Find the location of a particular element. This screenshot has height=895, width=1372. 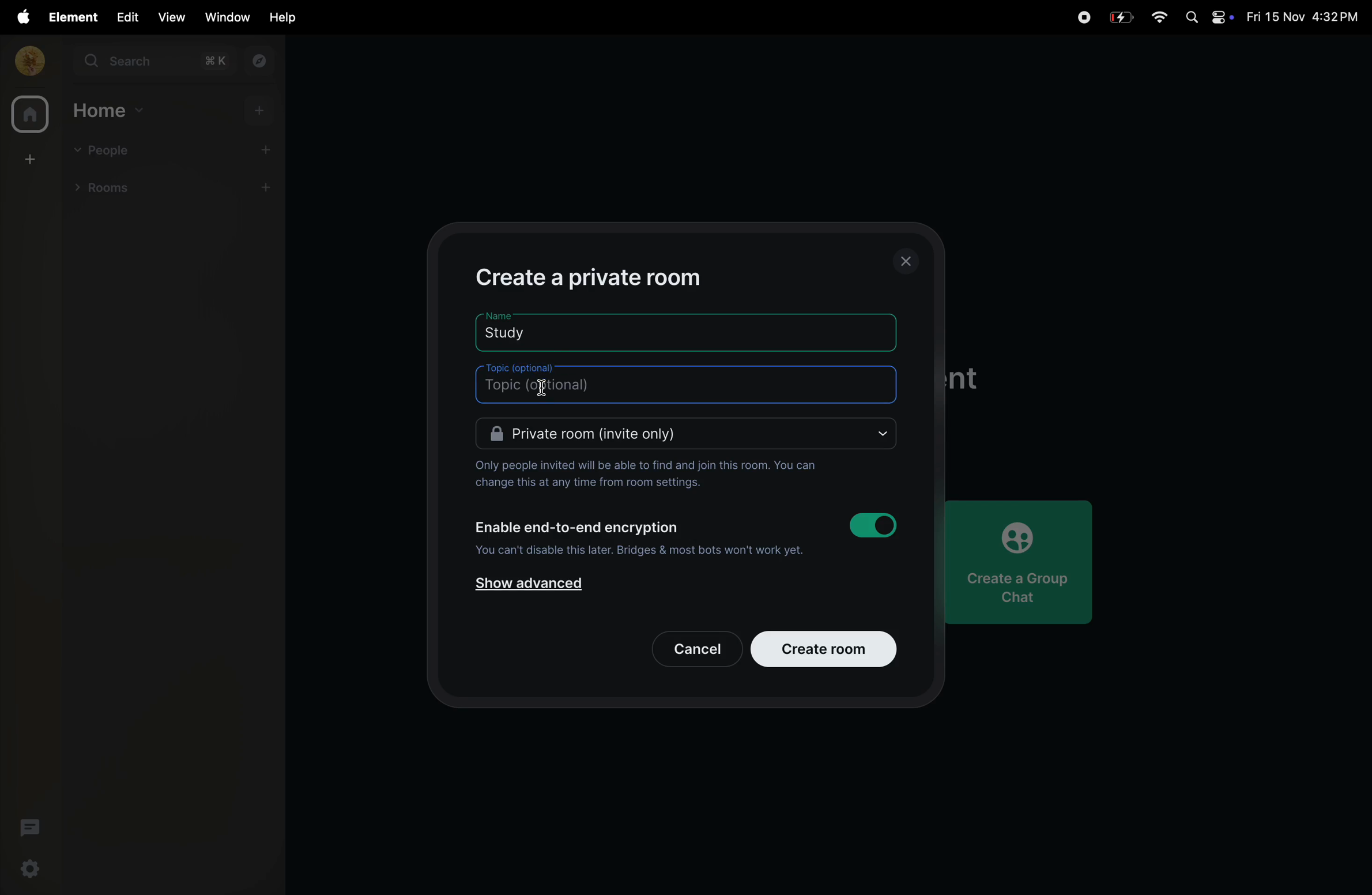

home is located at coordinates (109, 111).